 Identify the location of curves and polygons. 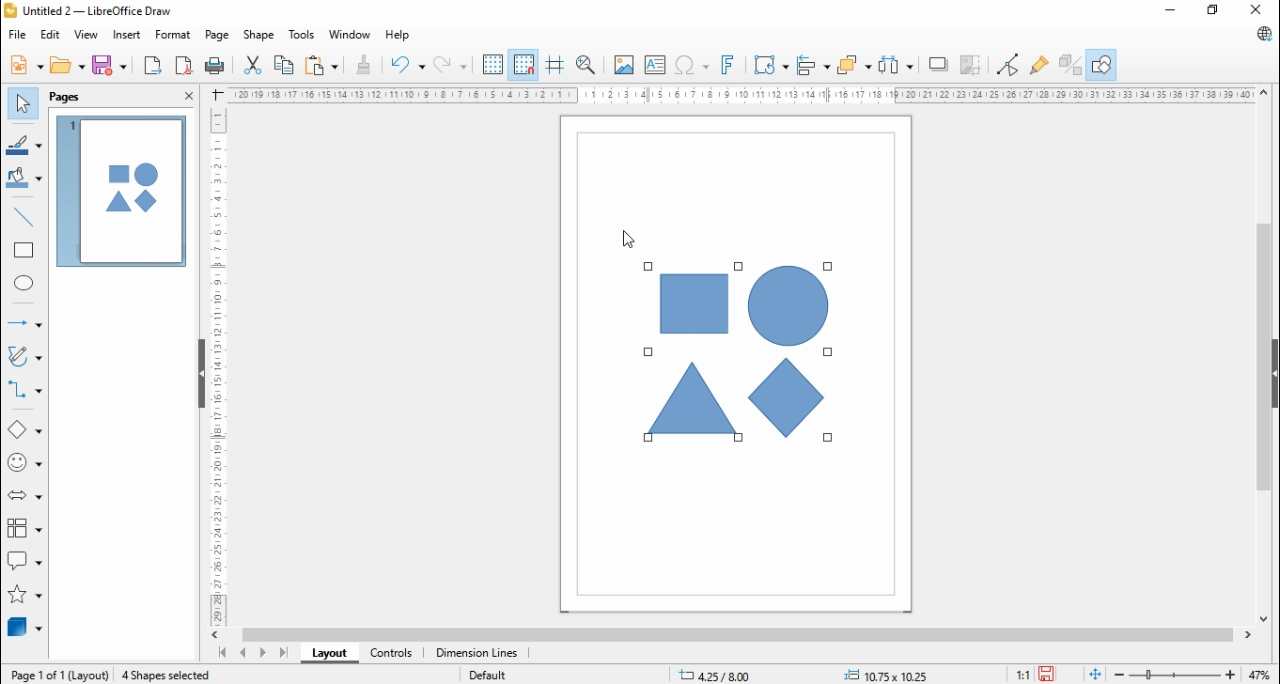
(27, 354).